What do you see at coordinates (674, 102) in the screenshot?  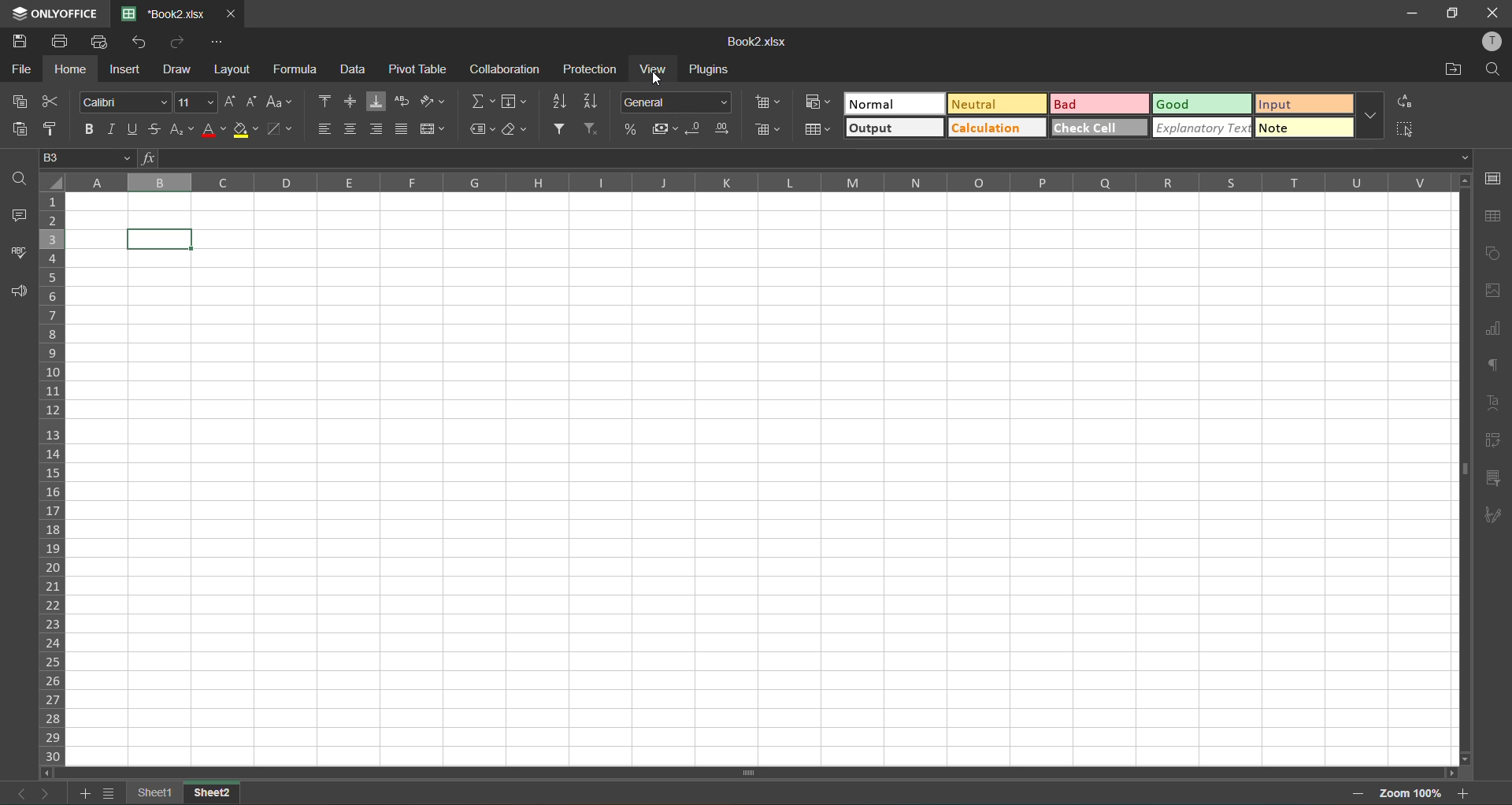 I see `number format` at bounding box center [674, 102].